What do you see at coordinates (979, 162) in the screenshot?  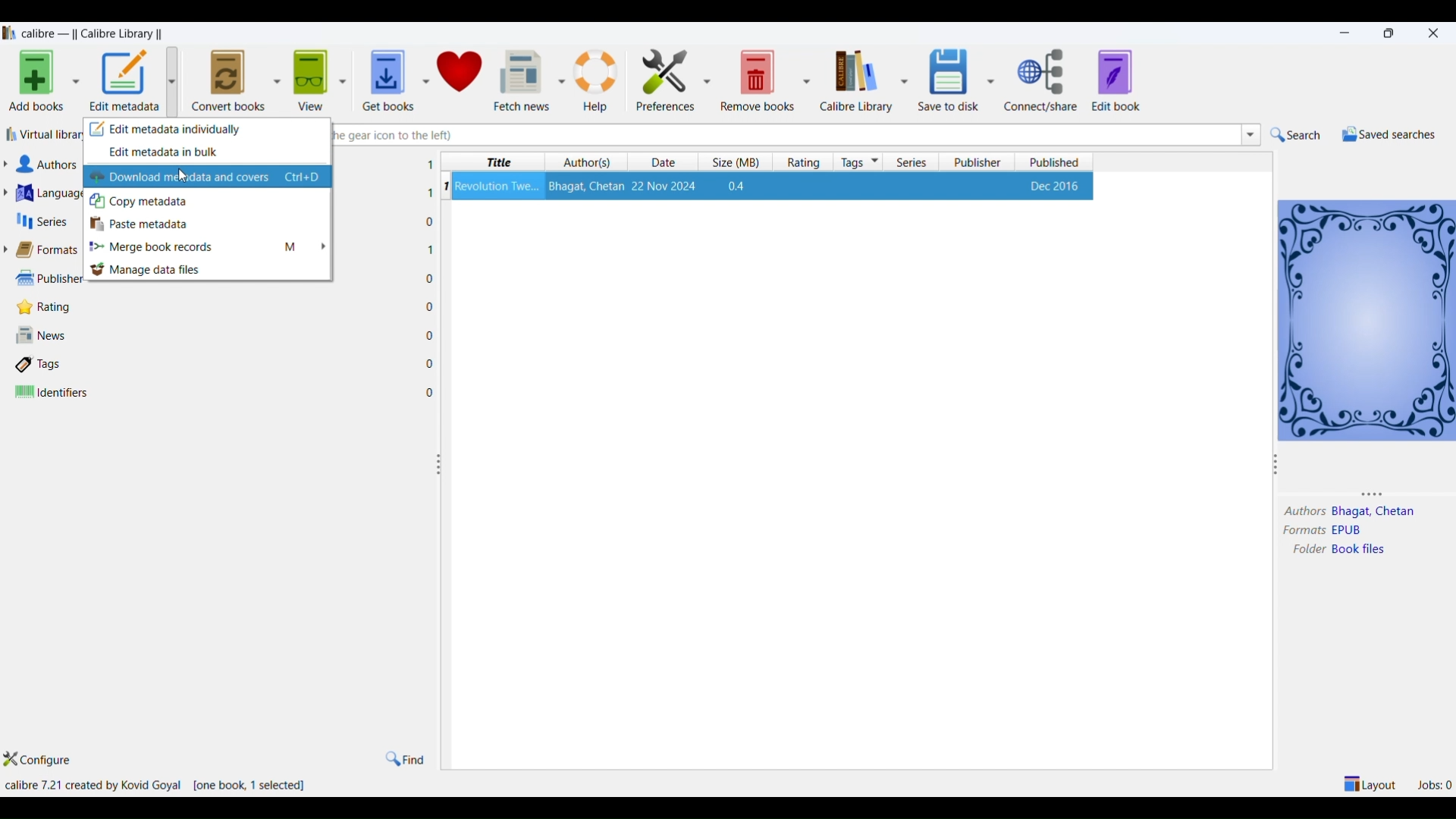 I see `publisher` at bounding box center [979, 162].